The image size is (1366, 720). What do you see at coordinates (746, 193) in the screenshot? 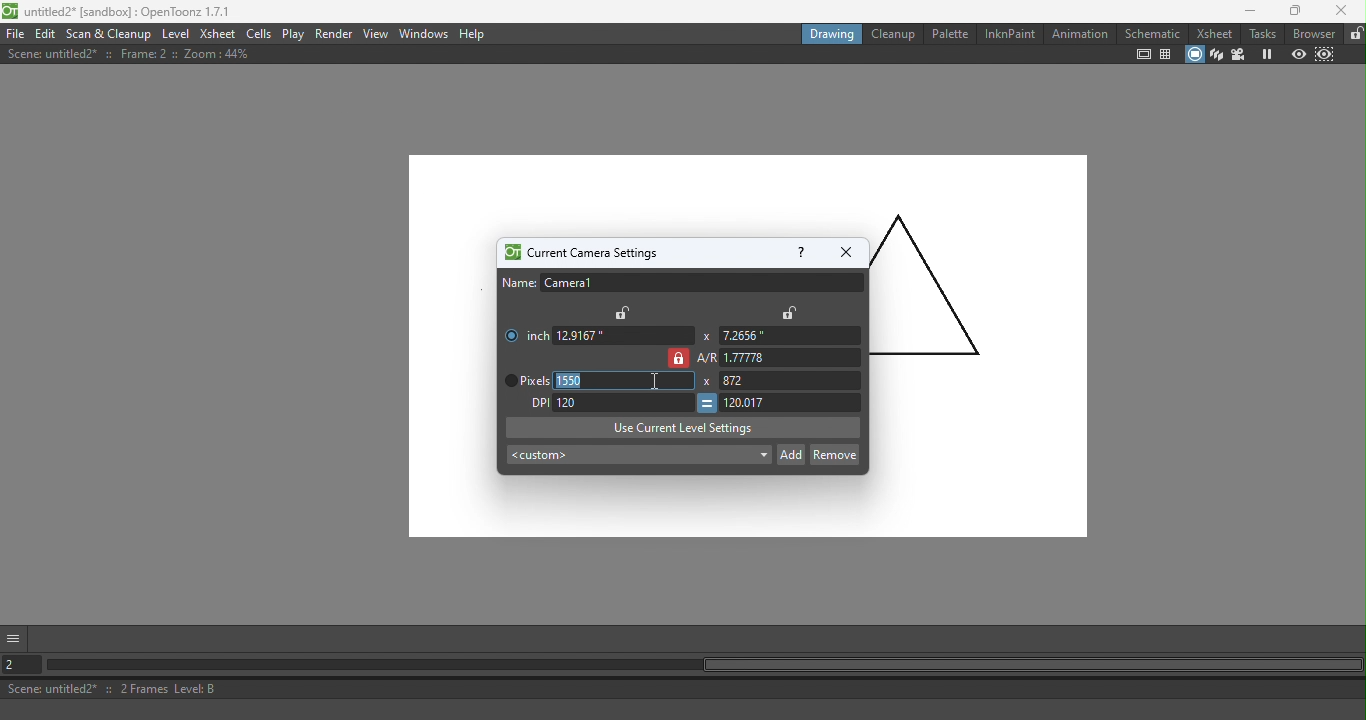
I see `canvas` at bounding box center [746, 193].